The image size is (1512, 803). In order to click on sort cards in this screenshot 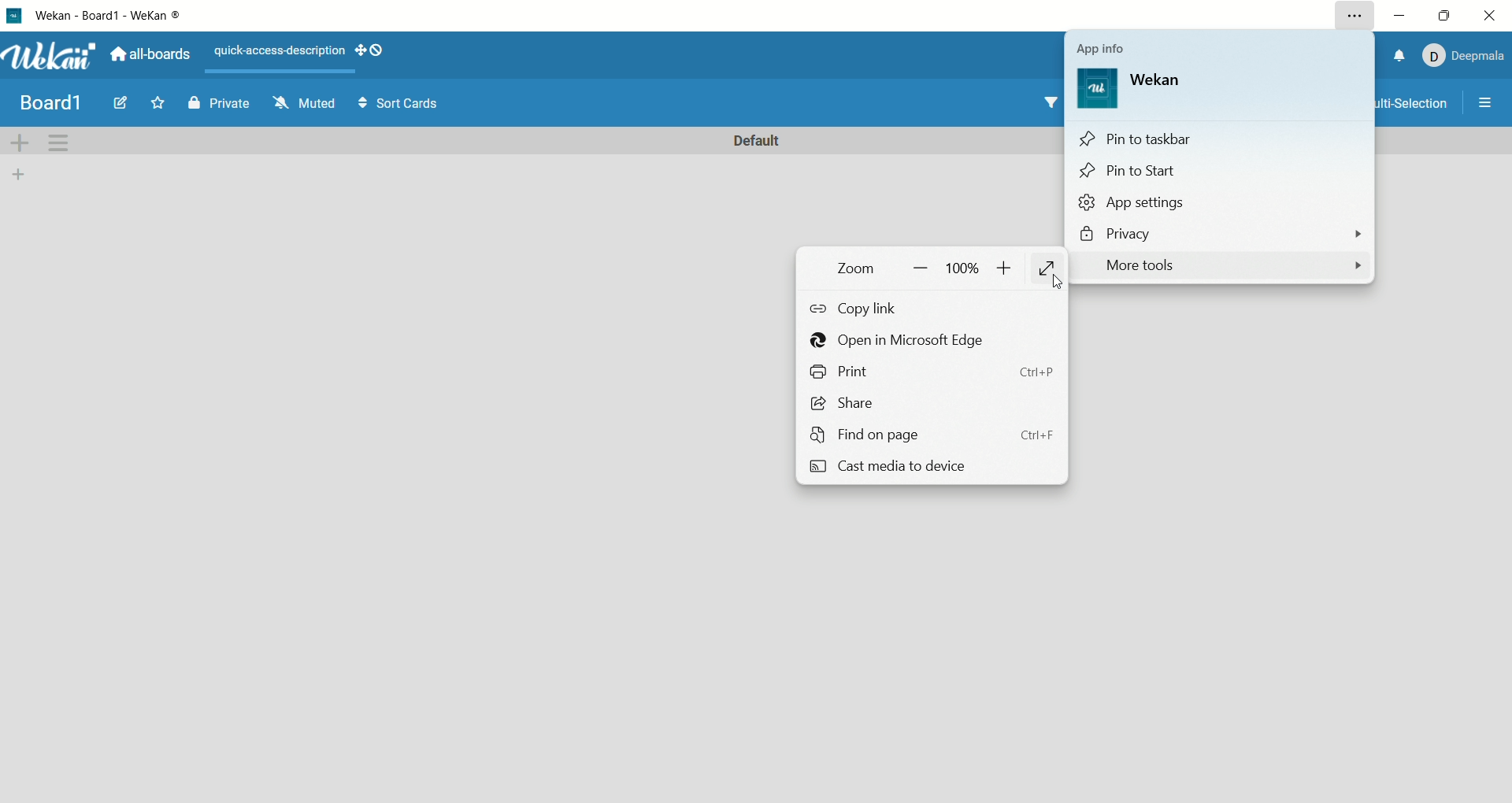, I will do `click(401, 102)`.